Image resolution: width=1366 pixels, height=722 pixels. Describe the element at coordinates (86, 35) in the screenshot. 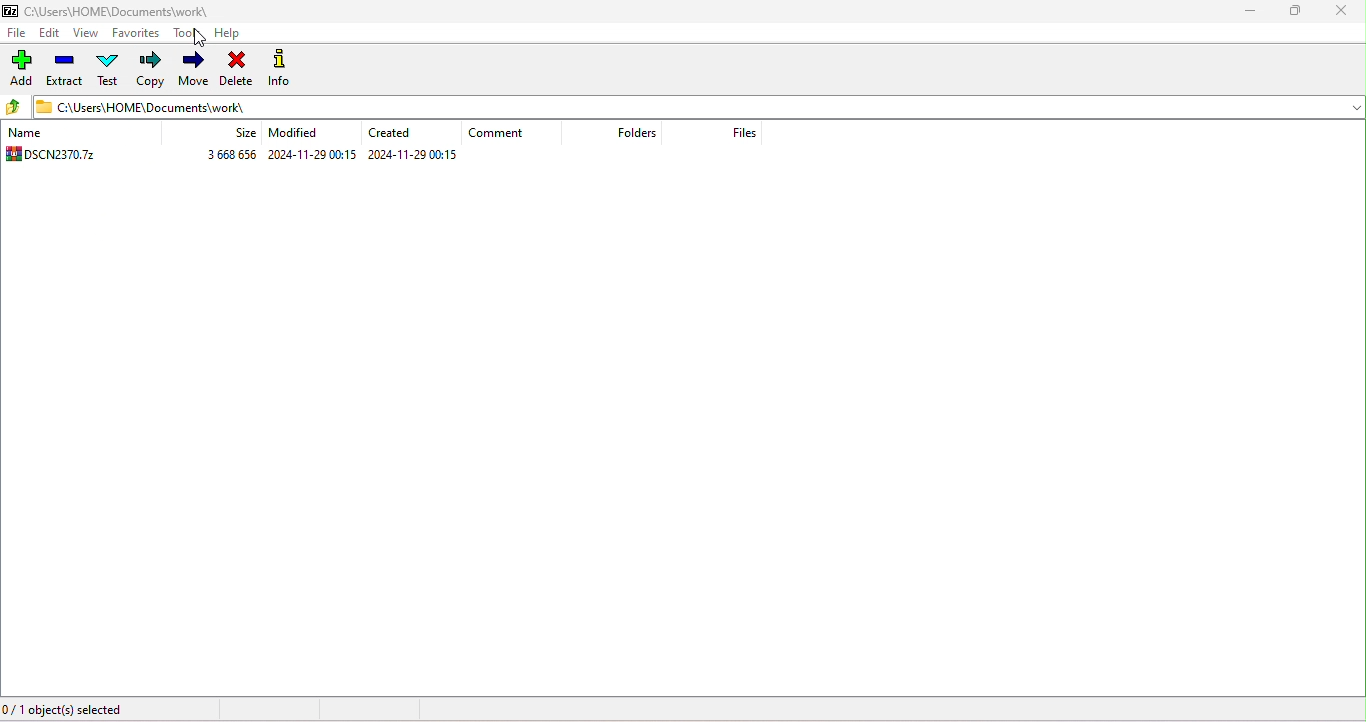

I see `view` at that location.